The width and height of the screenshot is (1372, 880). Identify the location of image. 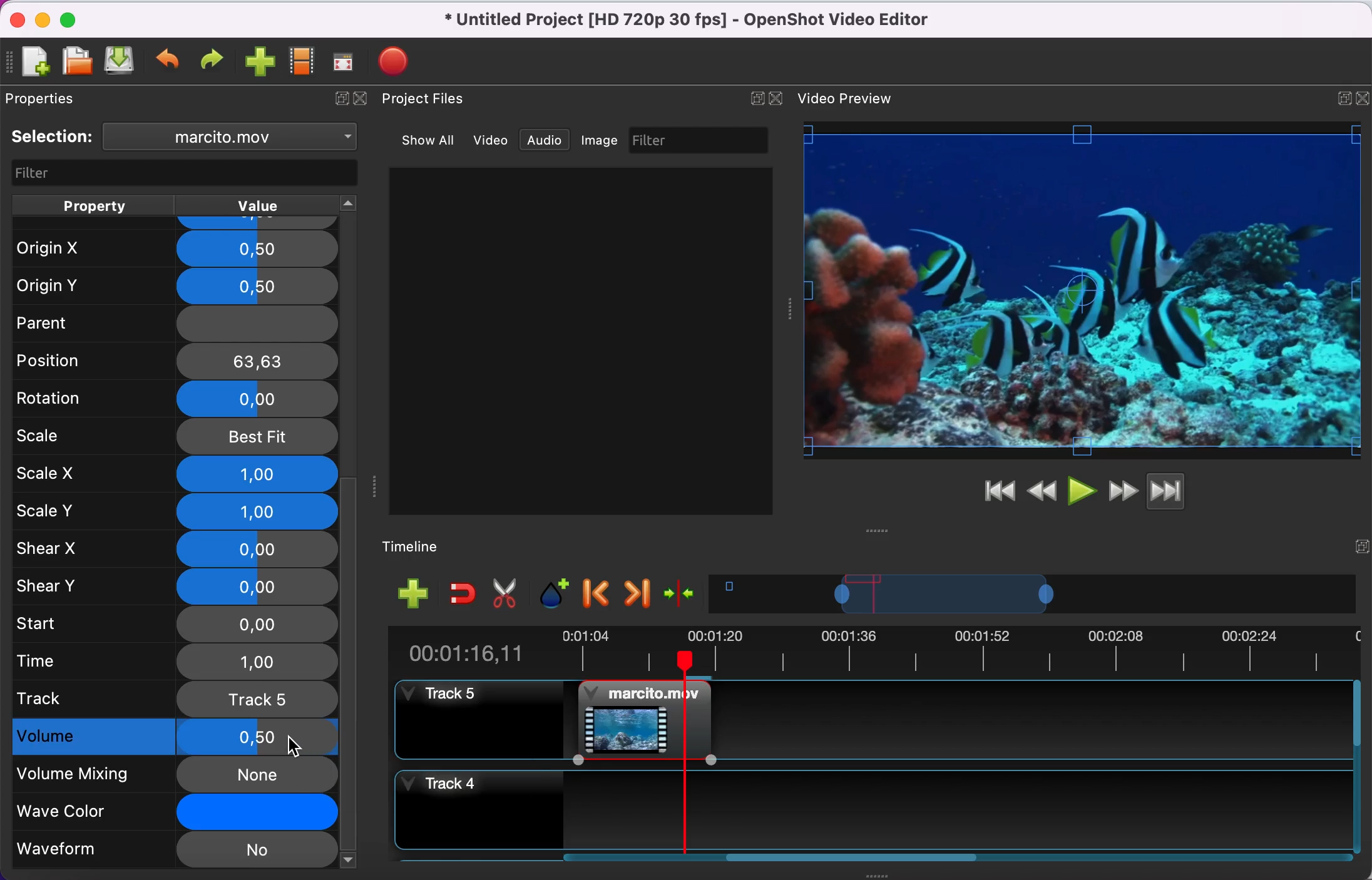
(603, 141).